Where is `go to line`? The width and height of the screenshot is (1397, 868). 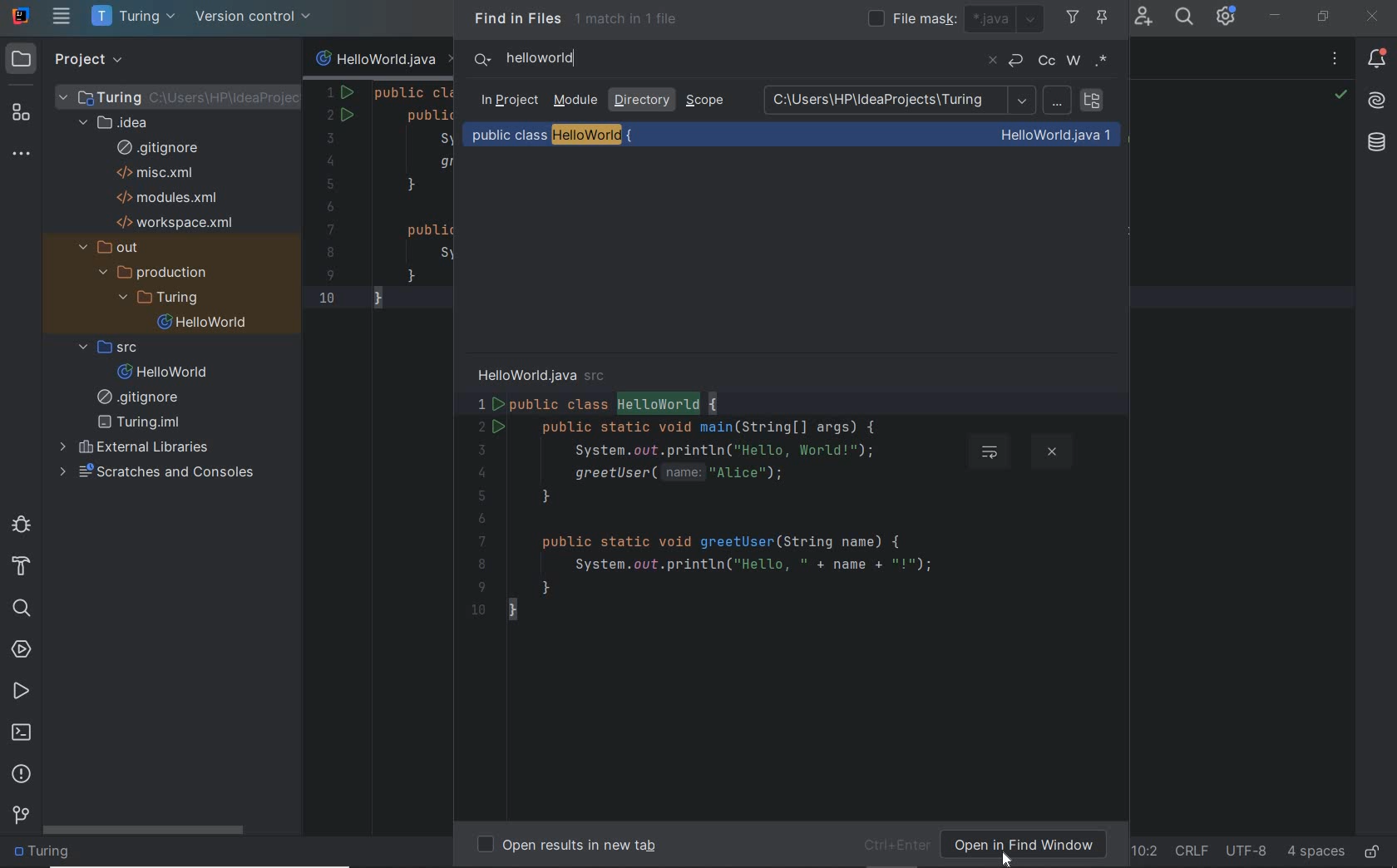
go to line is located at coordinates (1146, 851).